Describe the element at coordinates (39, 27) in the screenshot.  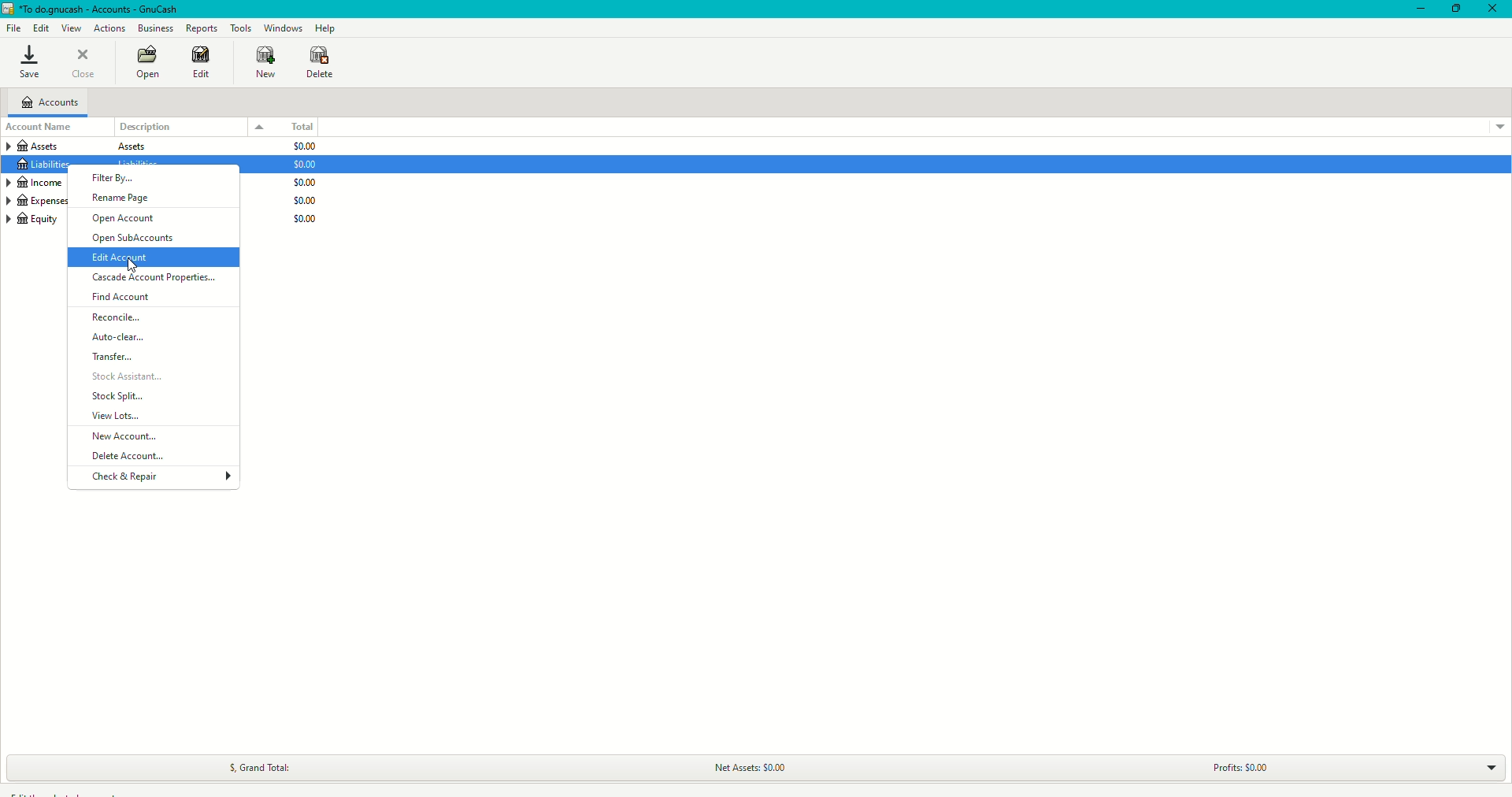
I see `Edit` at that location.